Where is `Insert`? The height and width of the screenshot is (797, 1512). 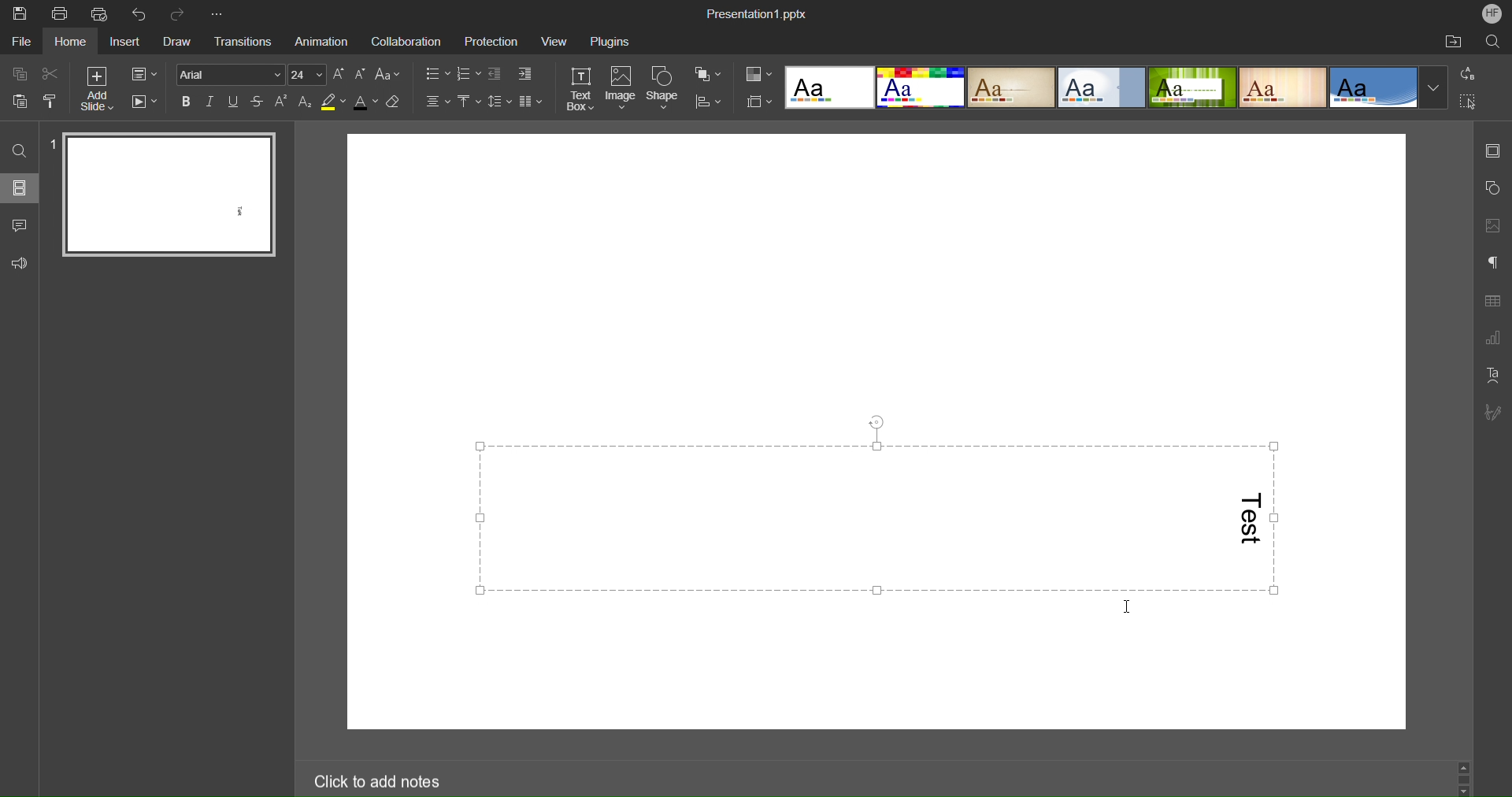
Insert is located at coordinates (129, 42).